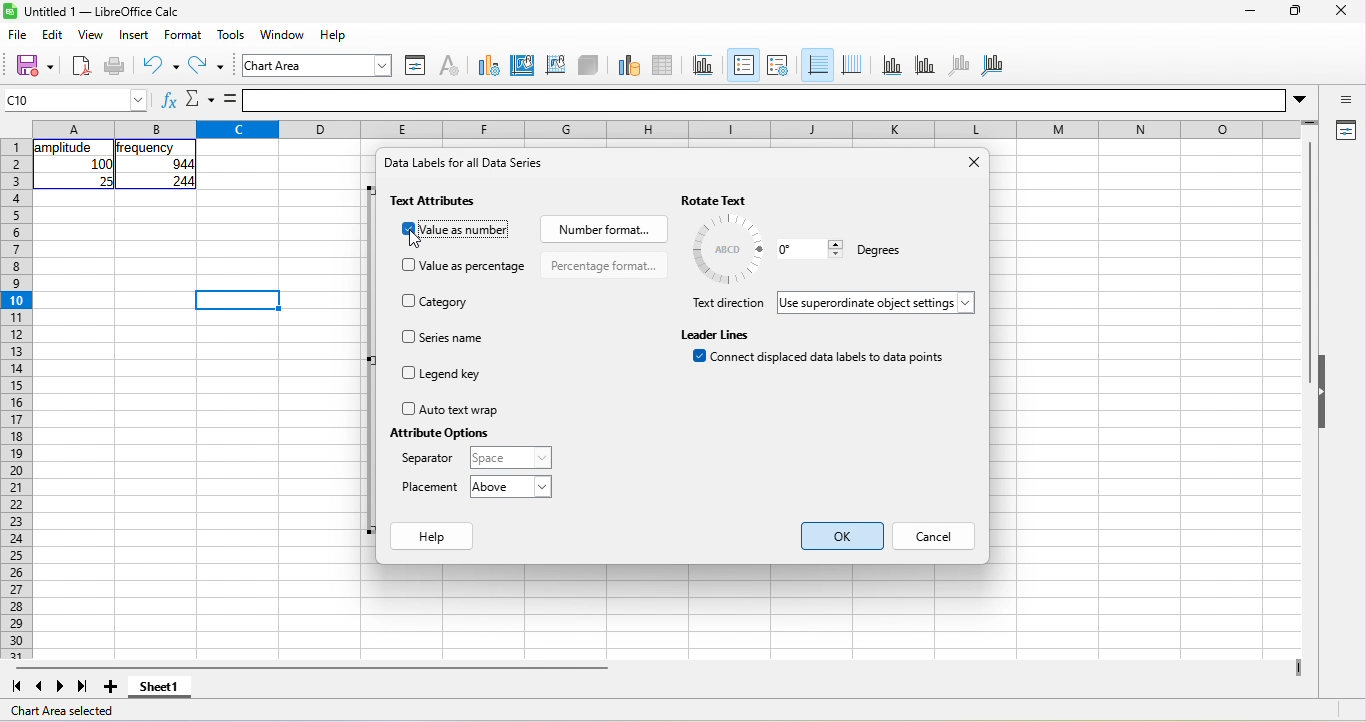 The height and width of the screenshot is (722, 1366). I want to click on percentage format, so click(604, 265).